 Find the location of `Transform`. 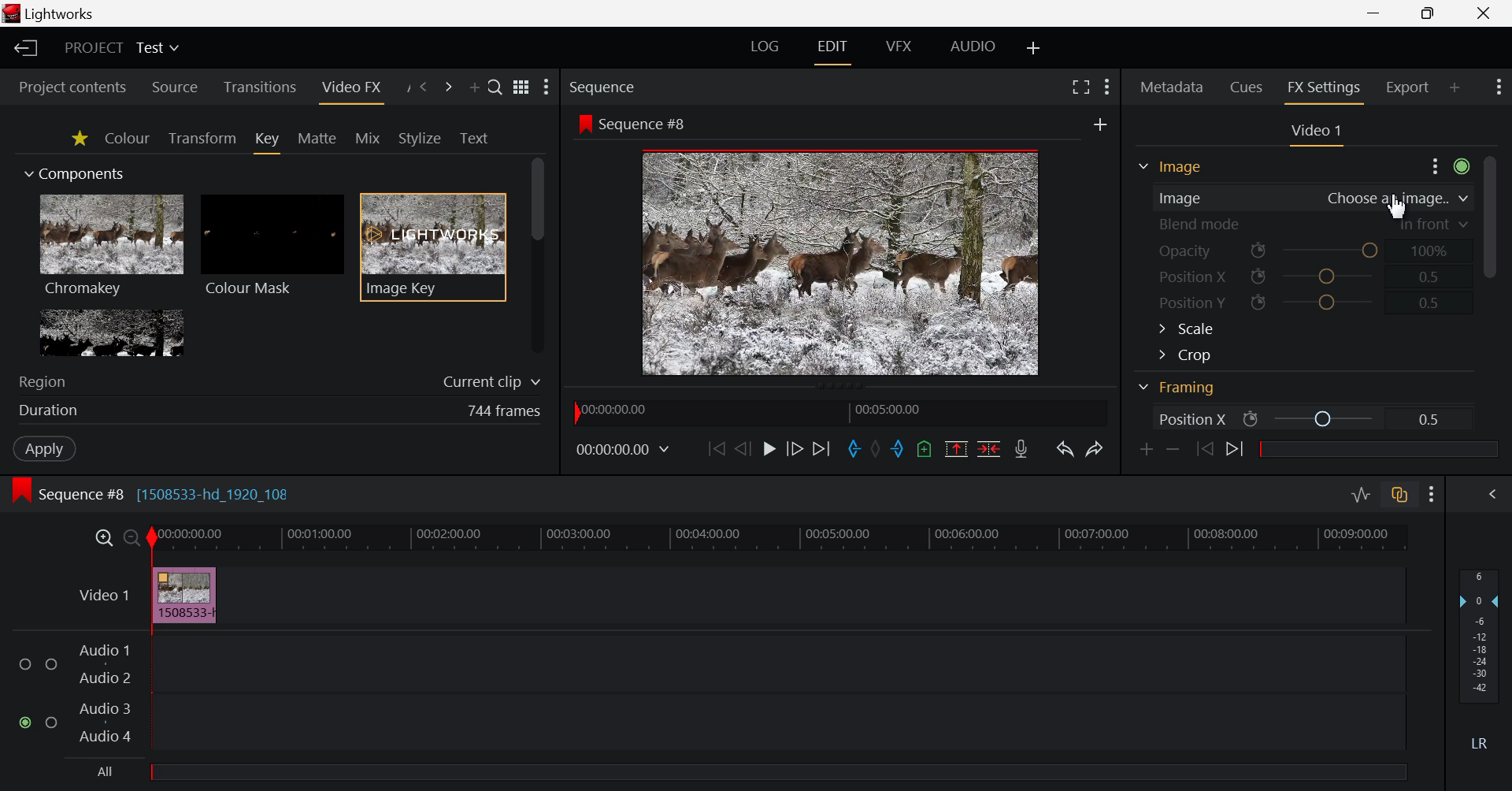

Transform is located at coordinates (200, 139).